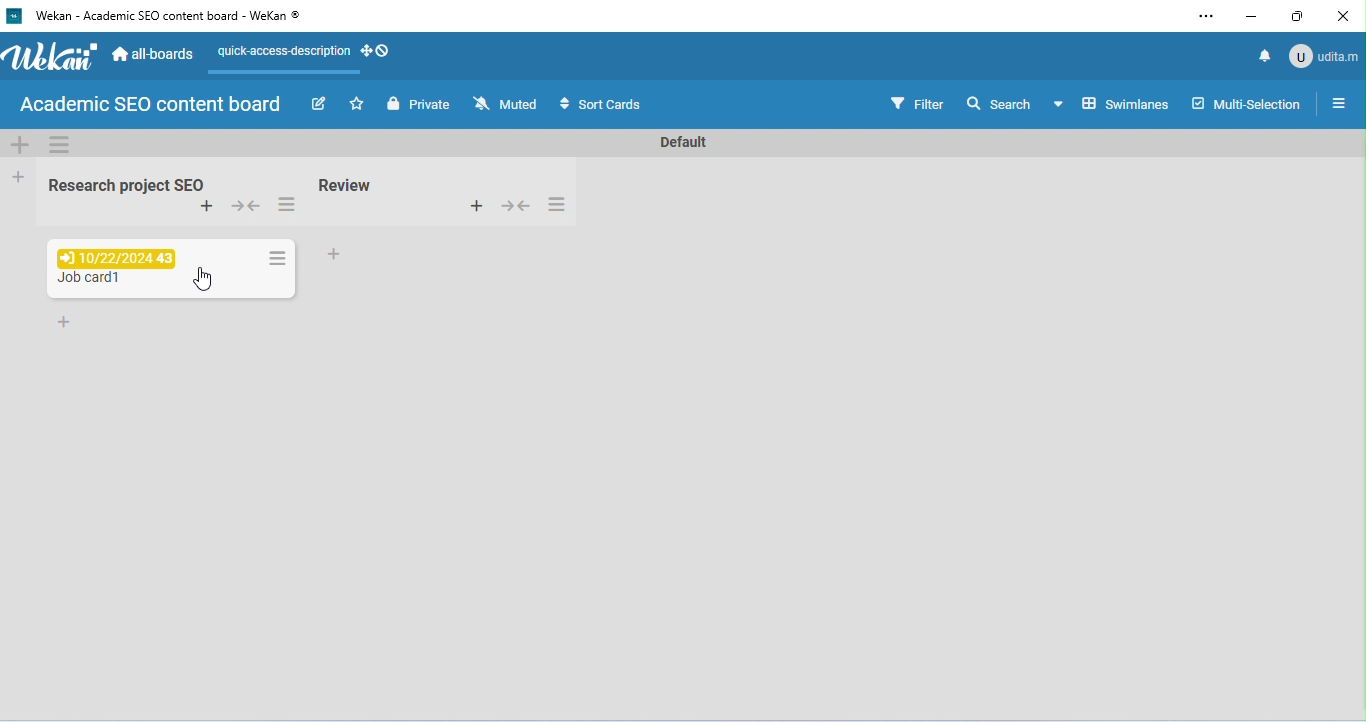  What do you see at coordinates (557, 204) in the screenshot?
I see `list actions` at bounding box center [557, 204].